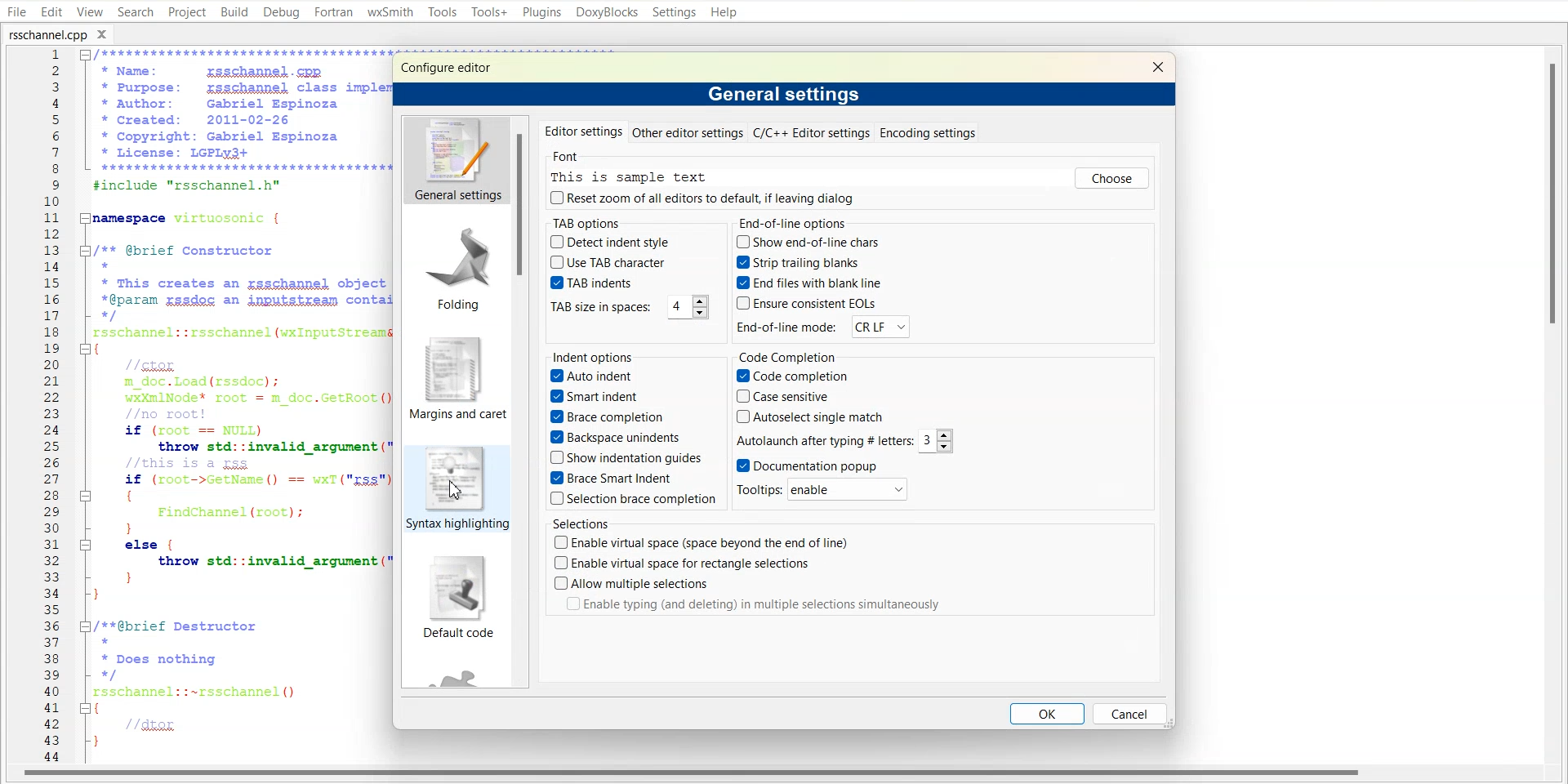 The width and height of the screenshot is (1568, 784). What do you see at coordinates (452, 264) in the screenshot?
I see `Folding` at bounding box center [452, 264].